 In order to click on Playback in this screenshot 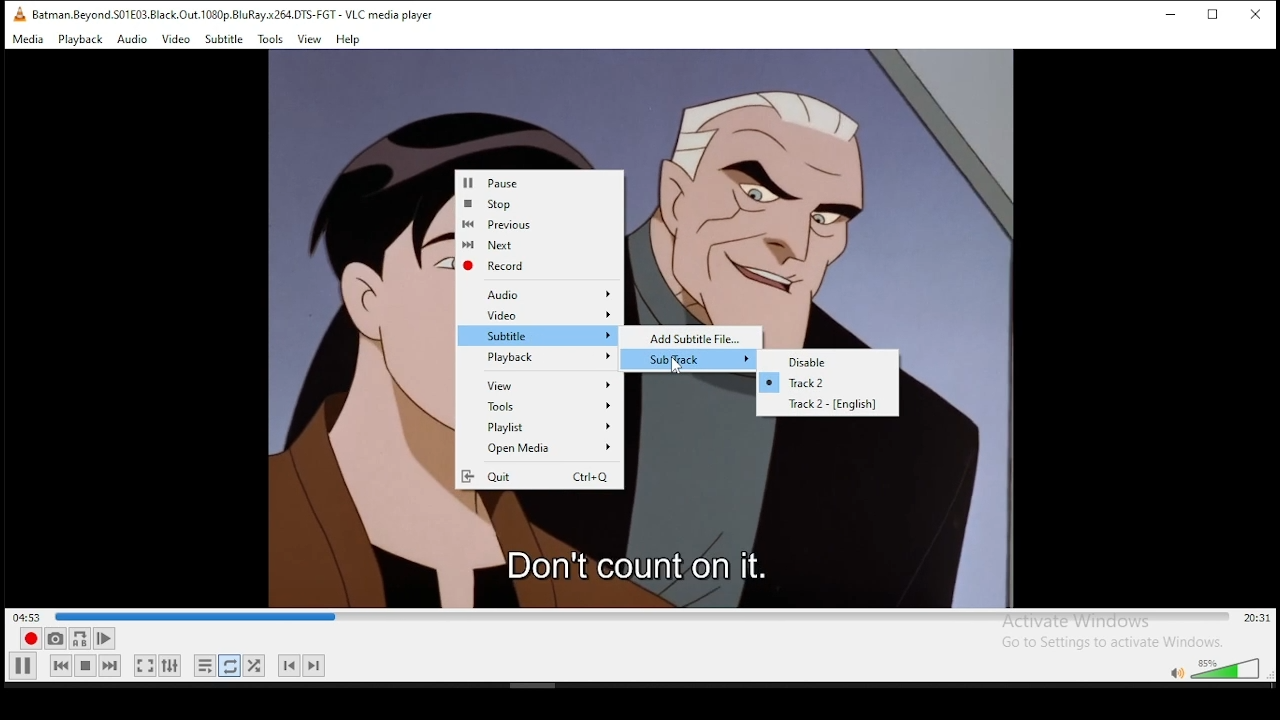, I will do `click(81, 40)`.